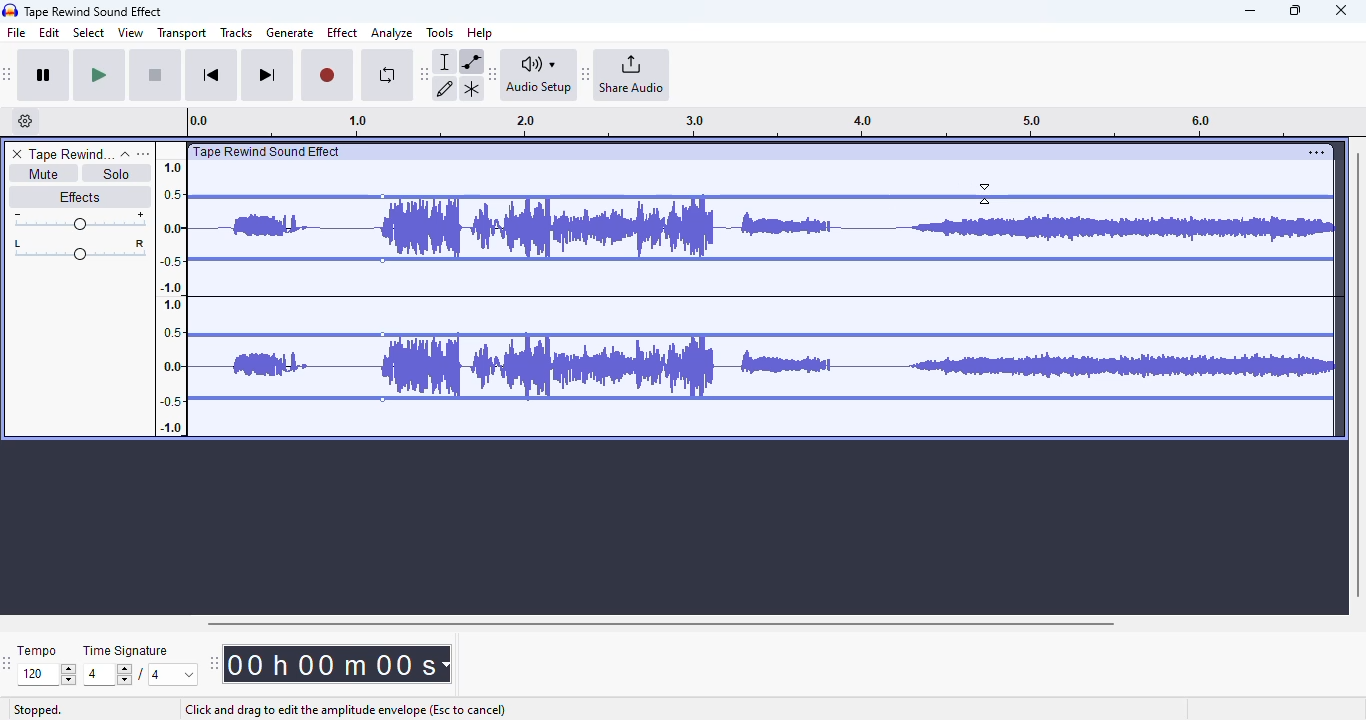 This screenshot has width=1366, height=720. Describe the element at coordinates (382, 260) in the screenshot. I see `Control point` at that location.